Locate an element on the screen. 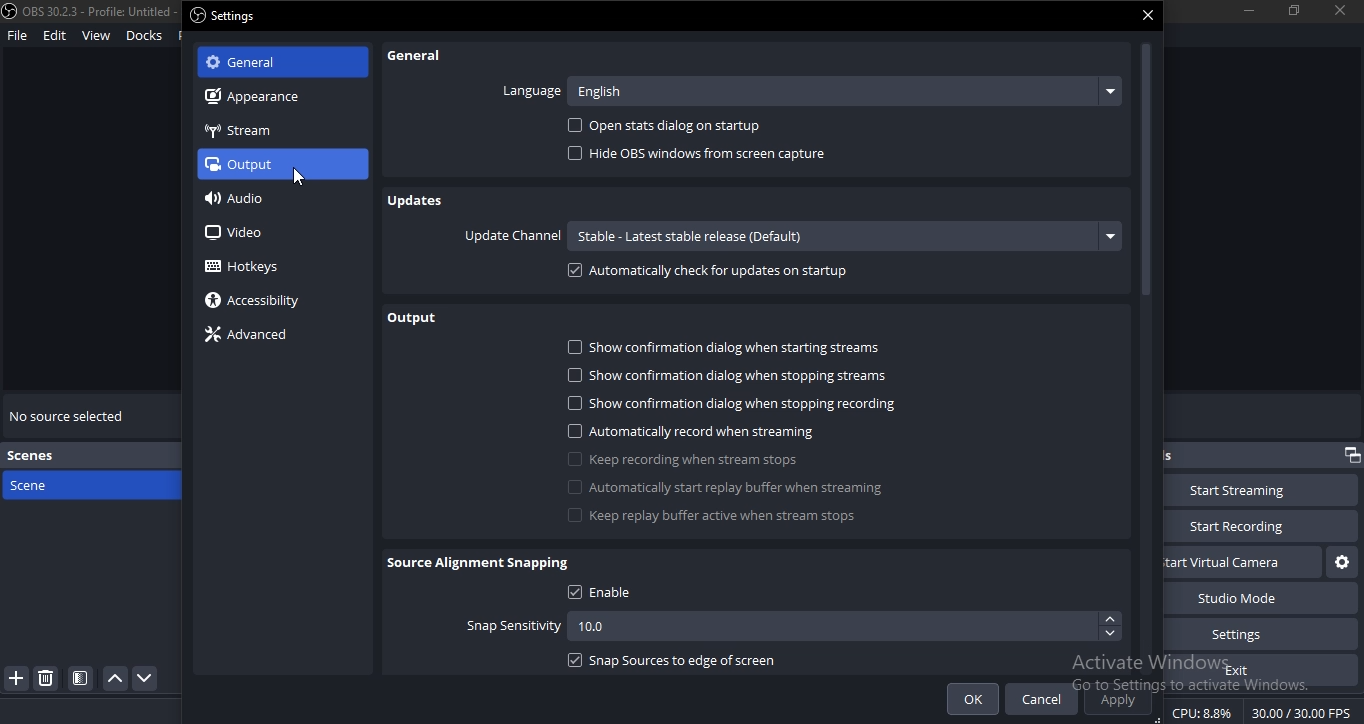 This screenshot has width=1364, height=724. audio is located at coordinates (242, 198).